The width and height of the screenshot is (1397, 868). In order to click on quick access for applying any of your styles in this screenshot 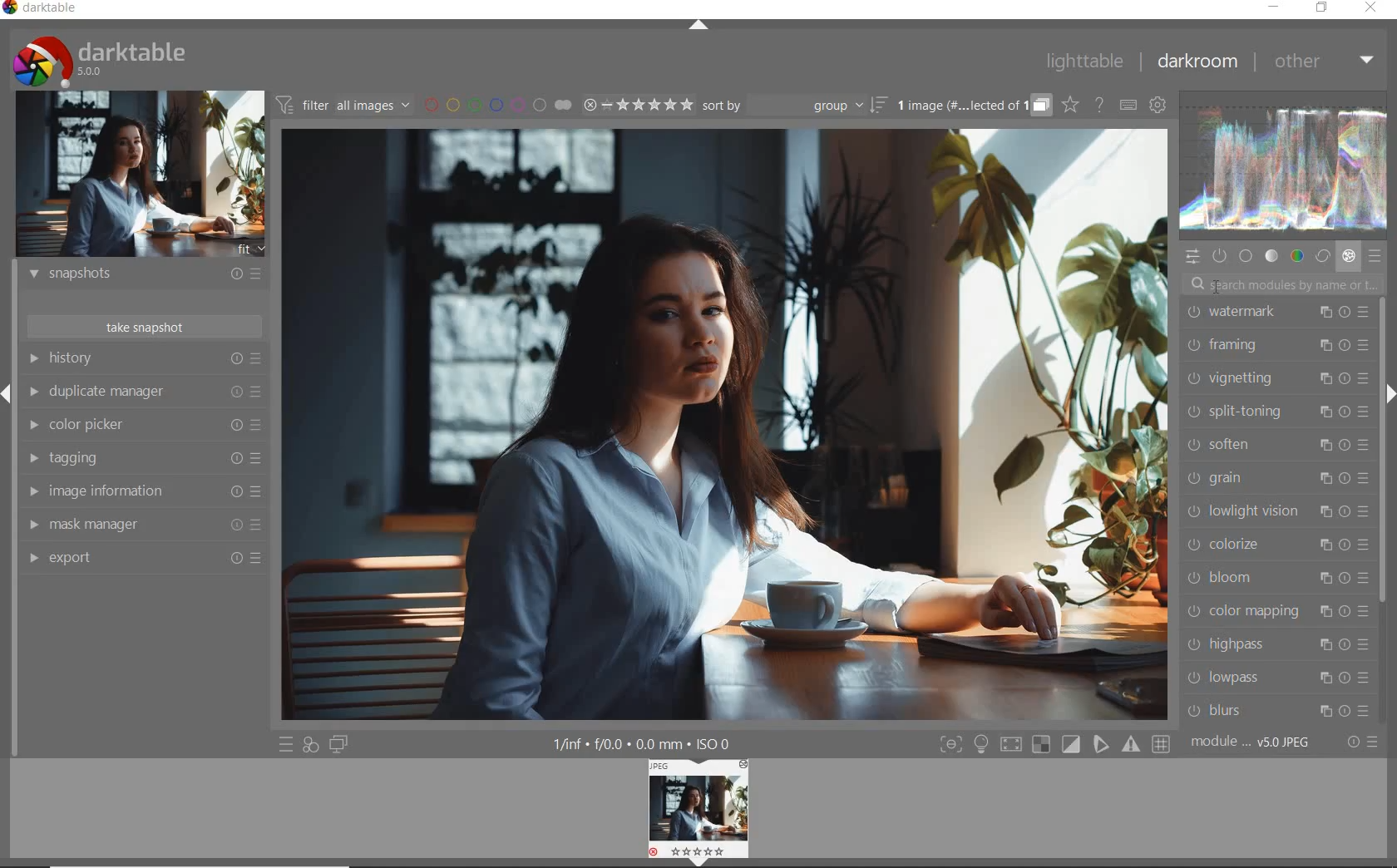, I will do `click(310, 745)`.